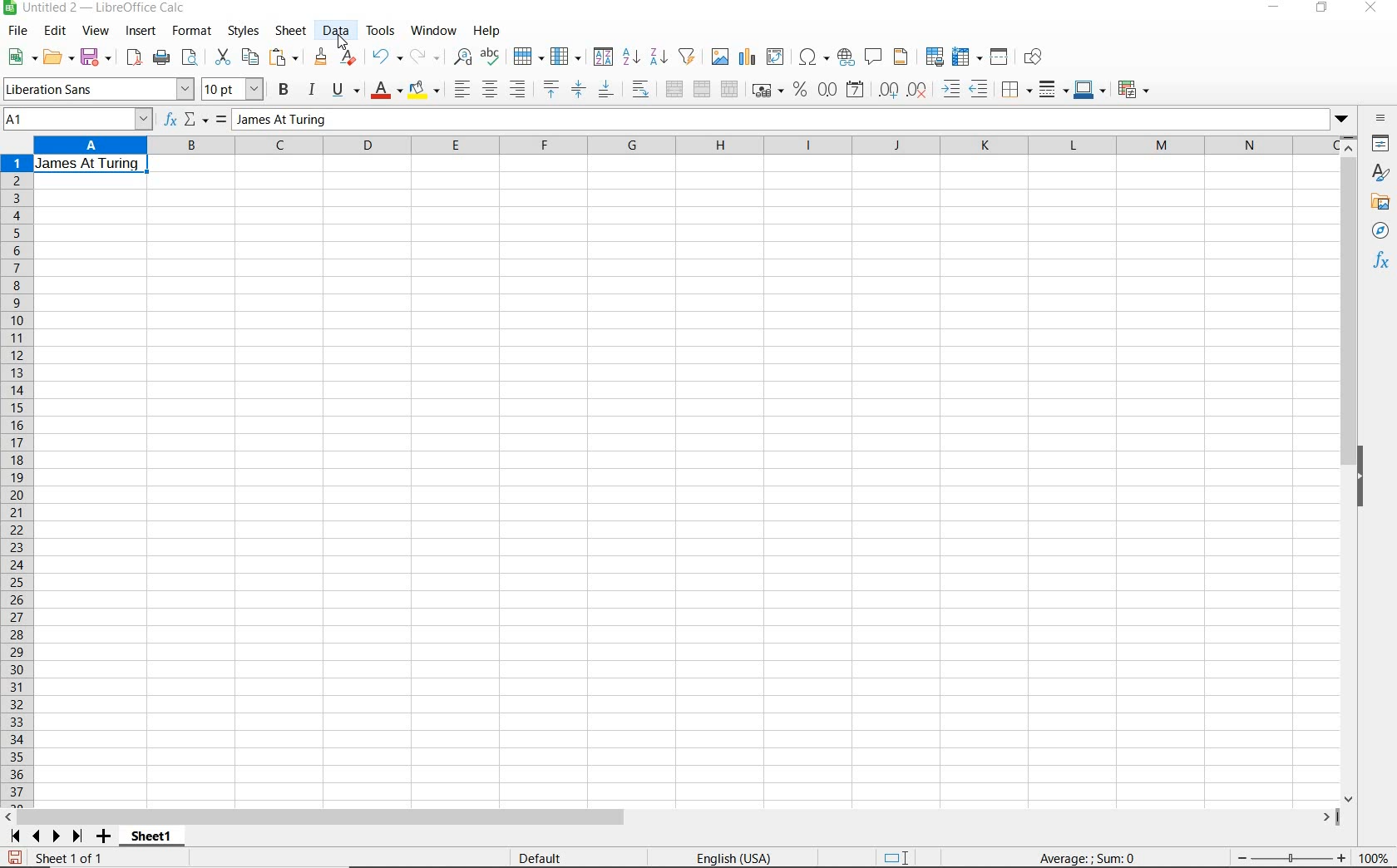 The image size is (1397, 868). Describe the element at coordinates (903, 60) in the screenshot. I see `headers and footers` at that location.